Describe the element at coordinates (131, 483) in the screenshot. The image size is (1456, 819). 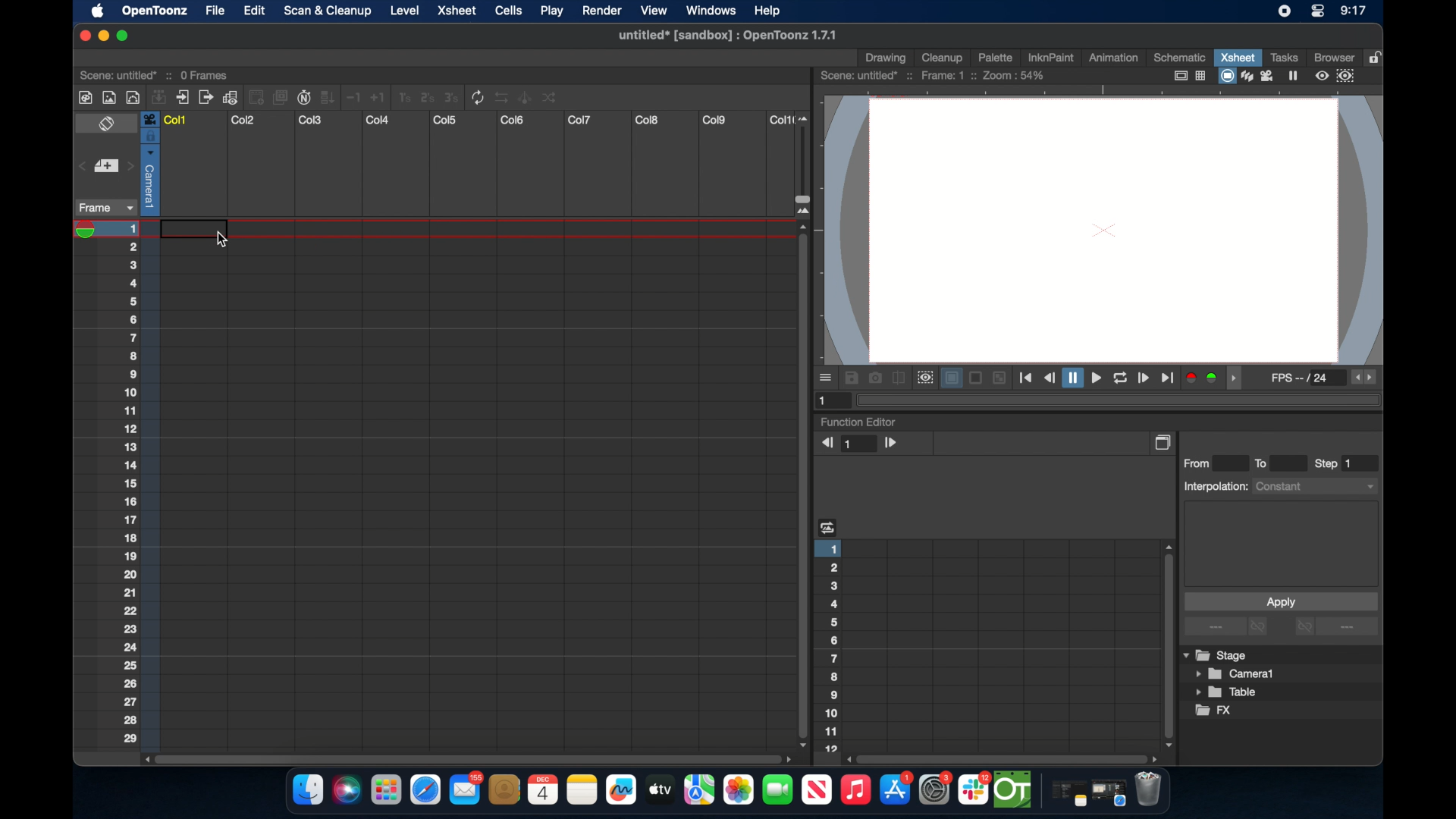
I see `numbering` at that location.